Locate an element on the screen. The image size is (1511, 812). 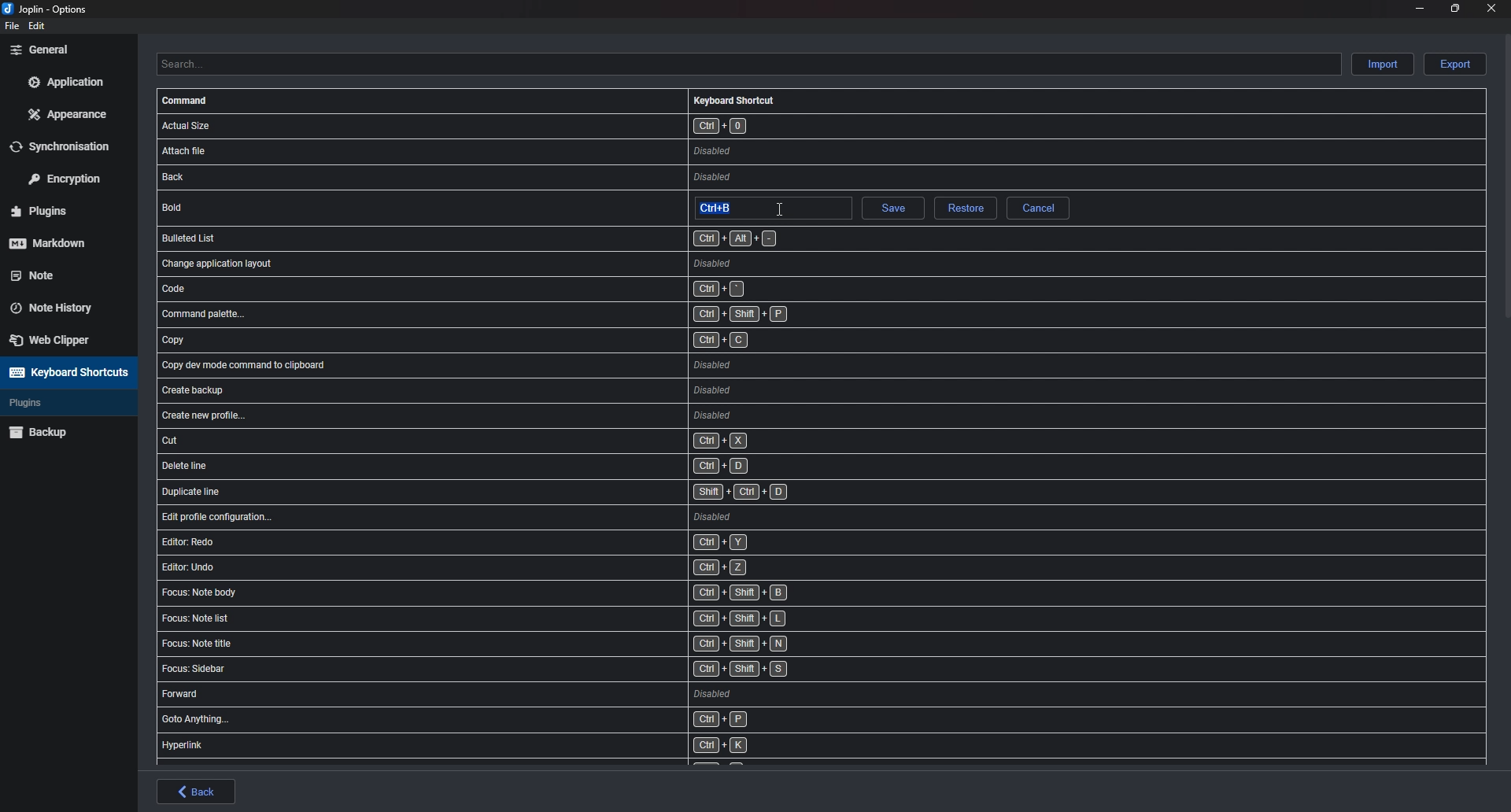
shortcut is located at coordinates (526, 542).